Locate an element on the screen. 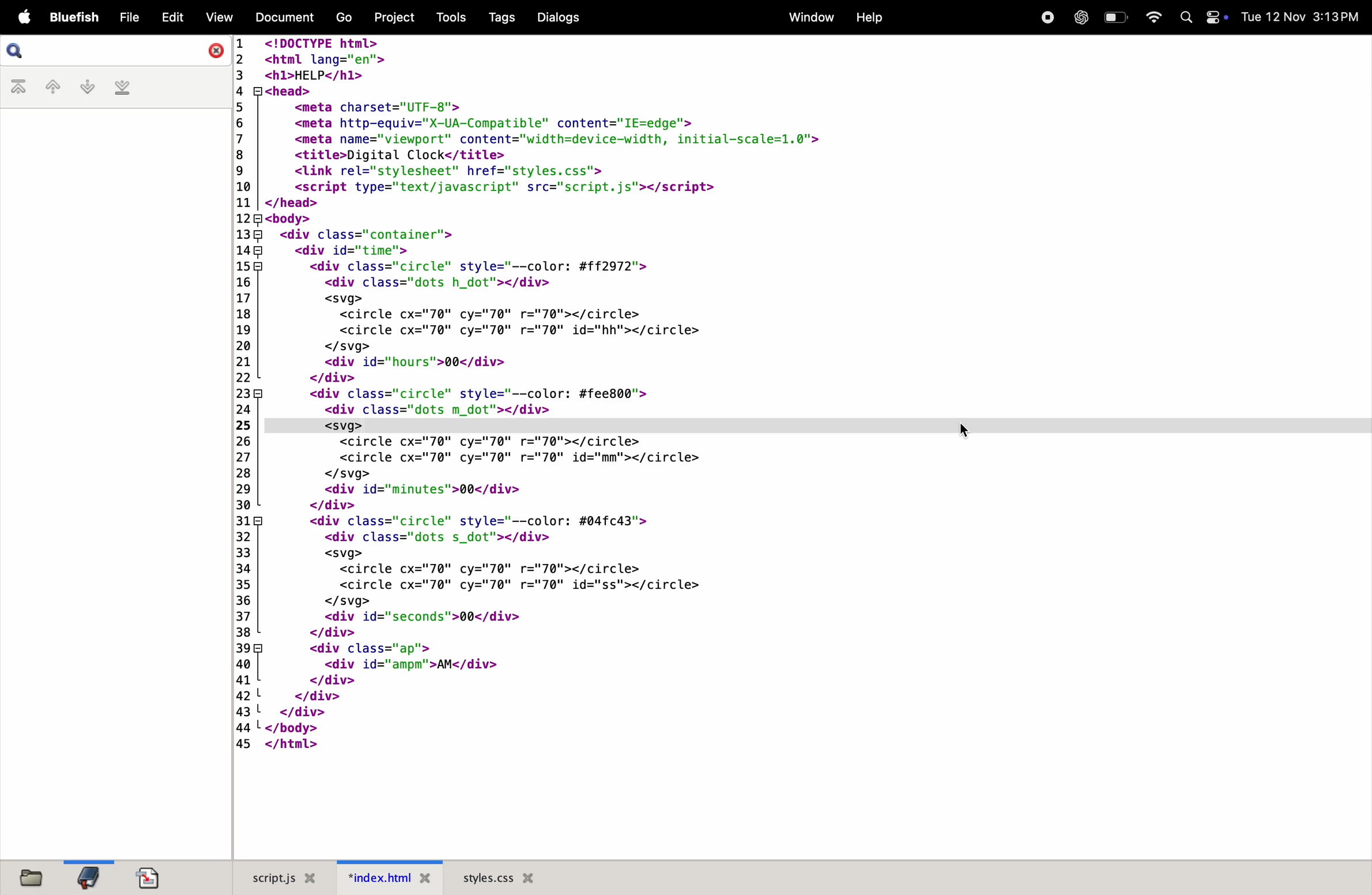  cursor  is located at coordinates (966, 432).